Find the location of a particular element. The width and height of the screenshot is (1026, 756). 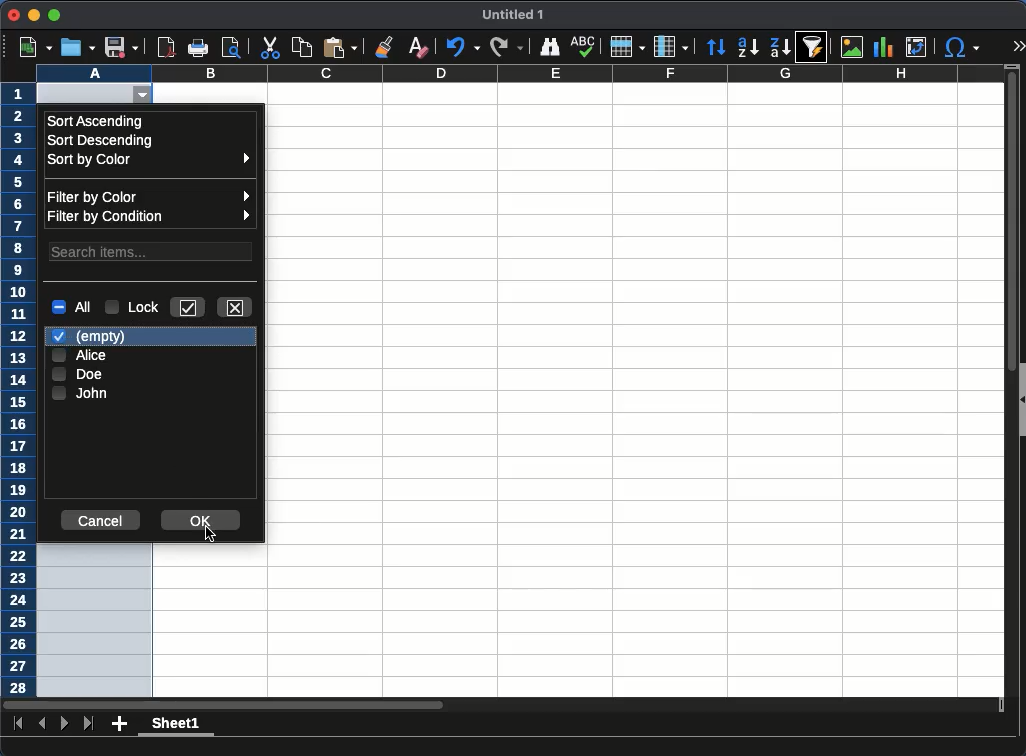

spell check is located at coordinates (585, 46).